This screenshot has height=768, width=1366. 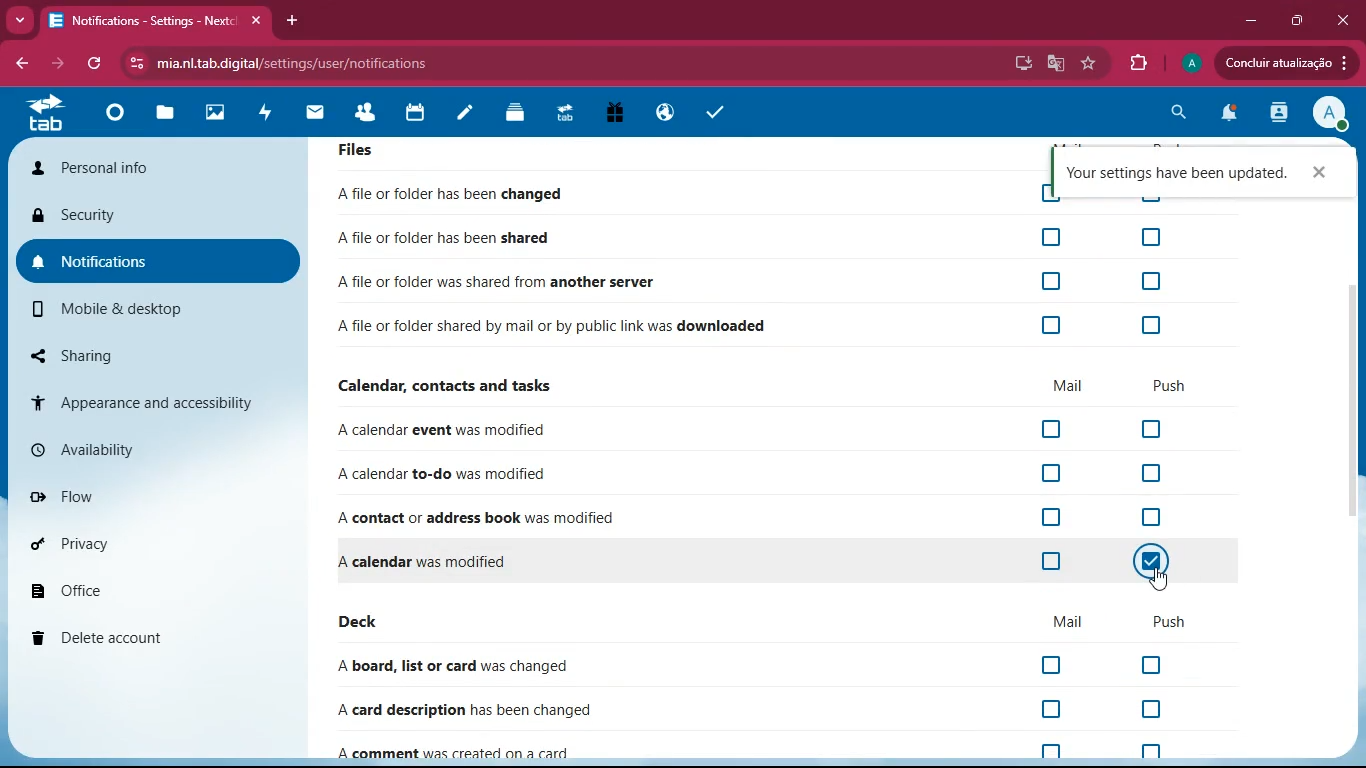 What do you see at coordinates (1054, 668) in the screenshot?
I see `off` at bounding box center [1054, 668].